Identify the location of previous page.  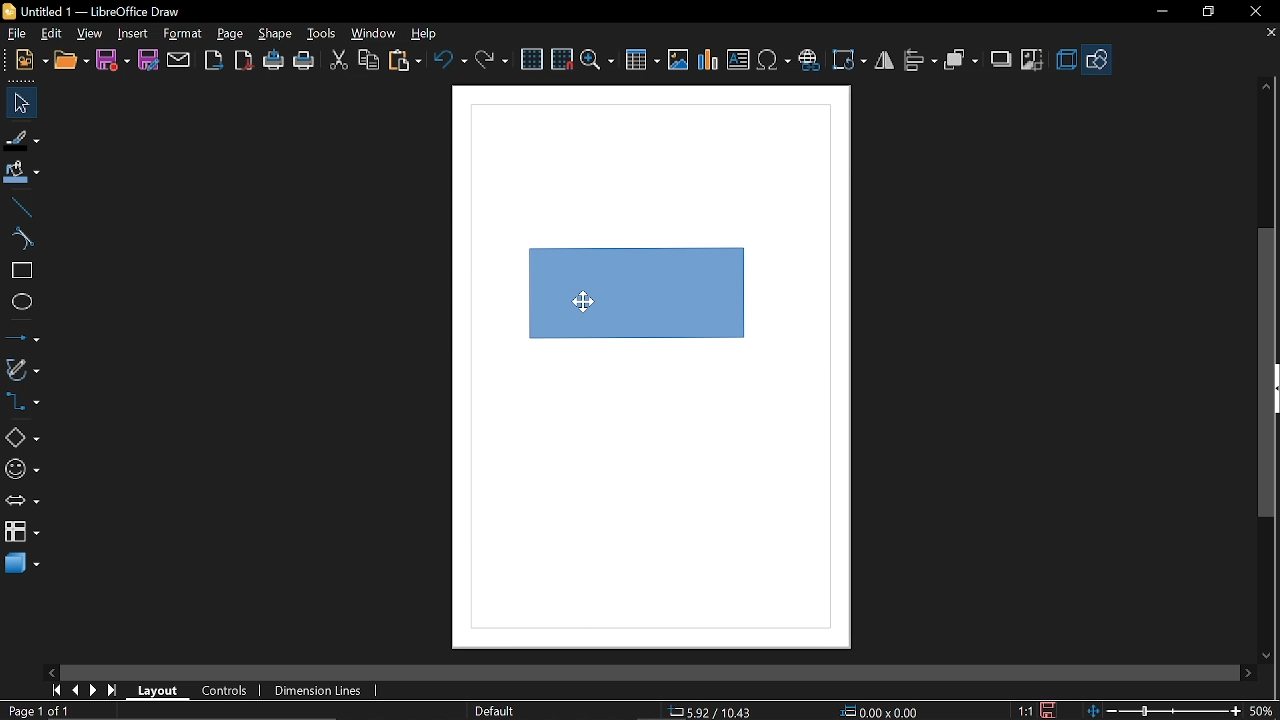
(75, 690).